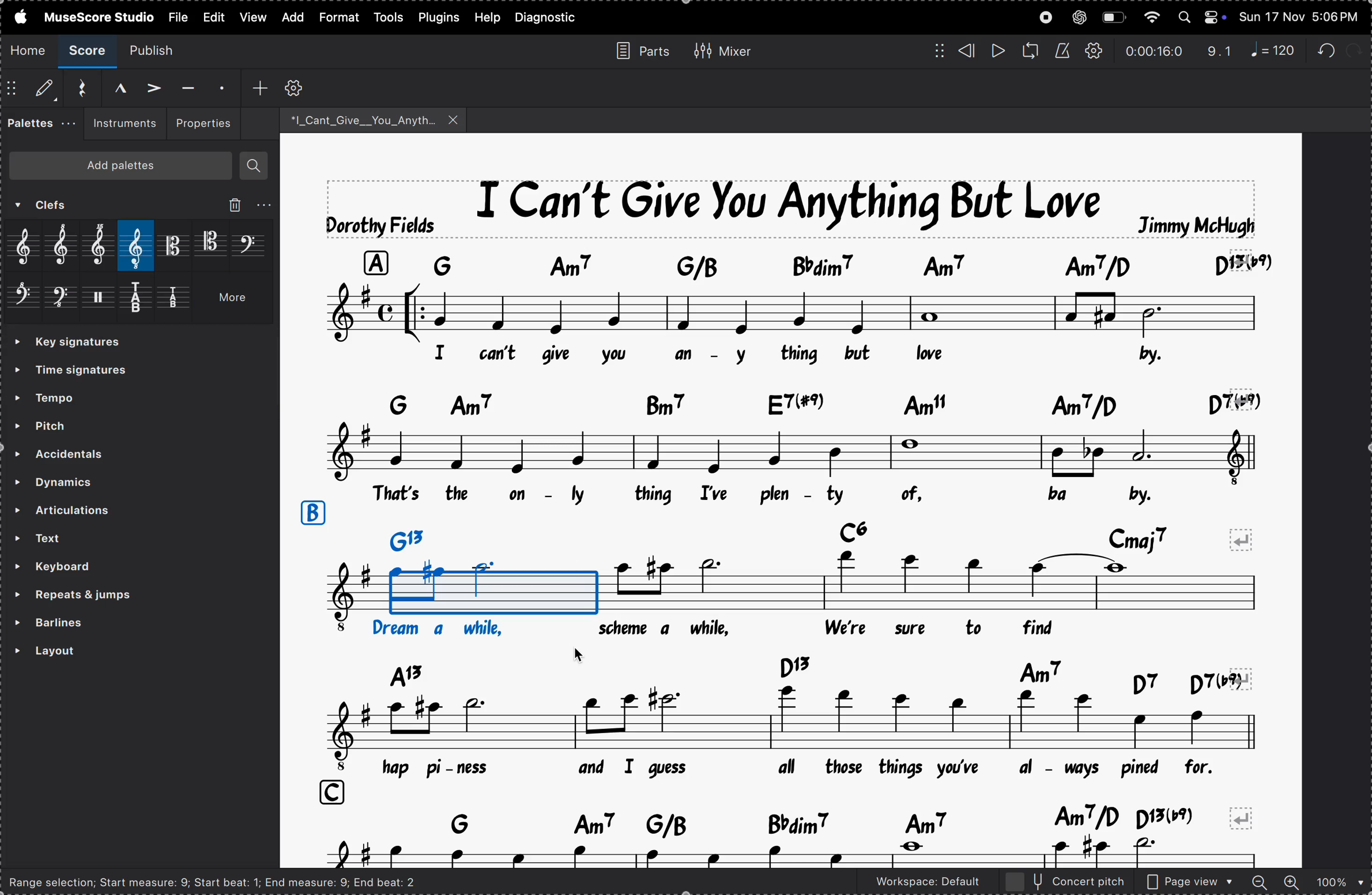 This screenshot has width=1372, height=895. Describe the element at coordinates (374, 119) in the screenshot. I see `song file` at that location.